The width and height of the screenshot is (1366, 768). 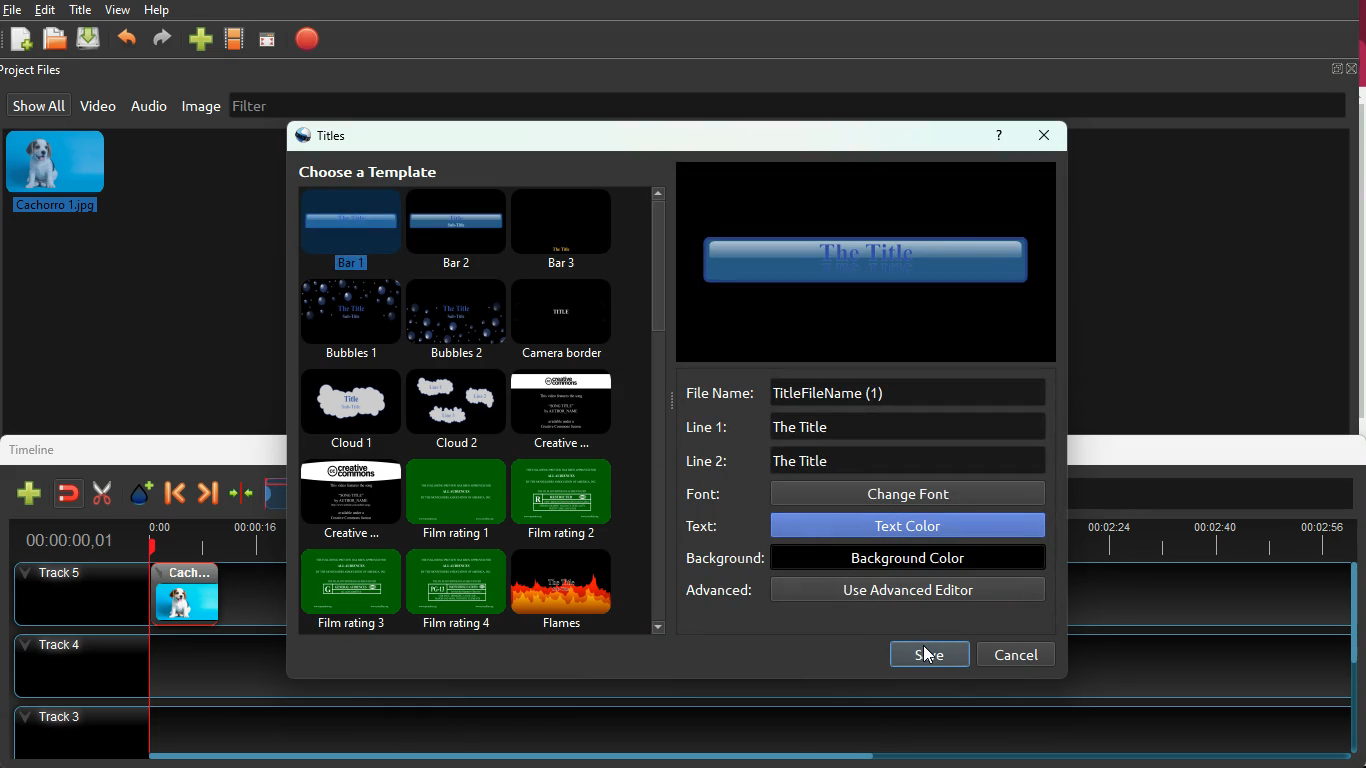 I want to click on show all, so click(x=39, y=105).